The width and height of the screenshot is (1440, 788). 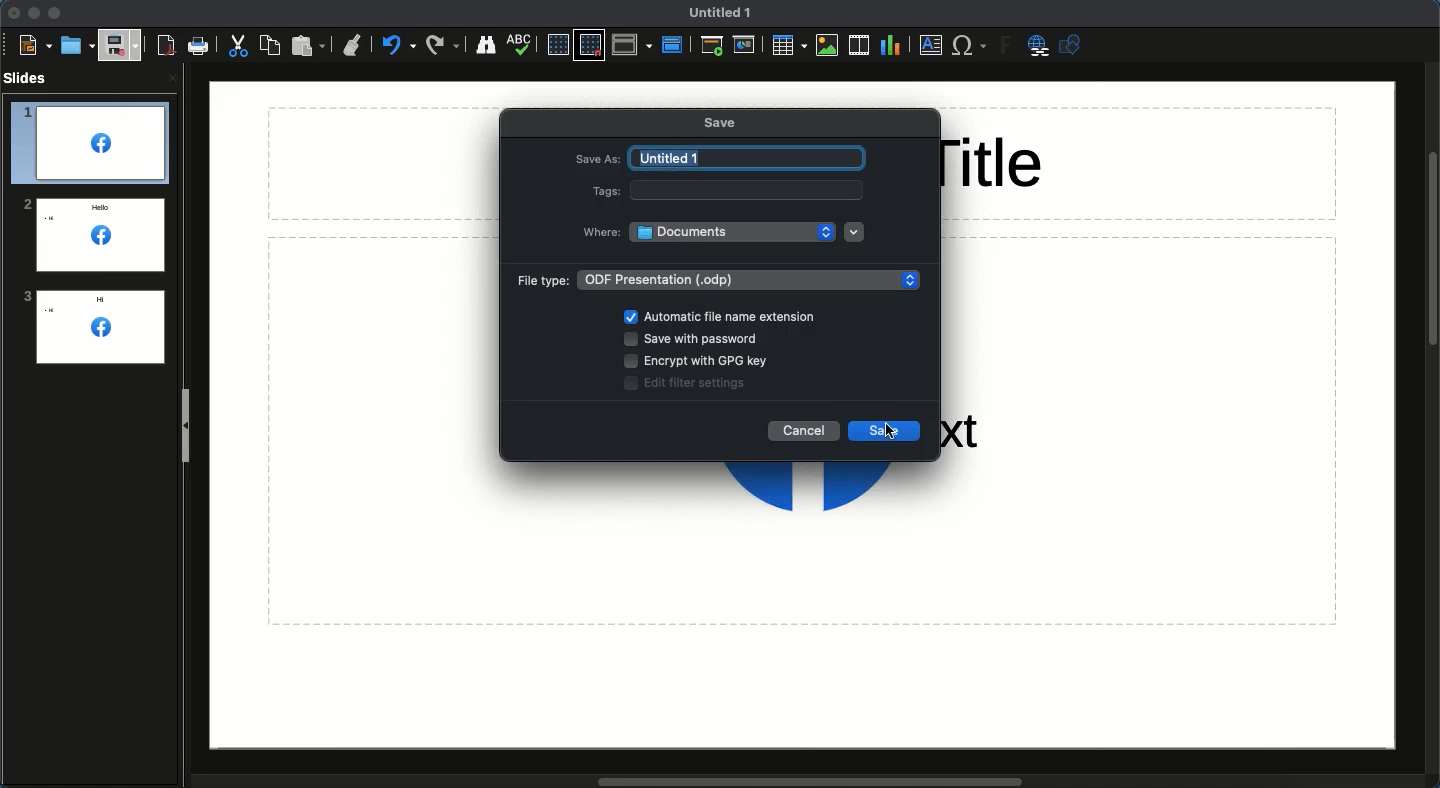 I want to click on Fontwork, so click(x=1003, y=45).